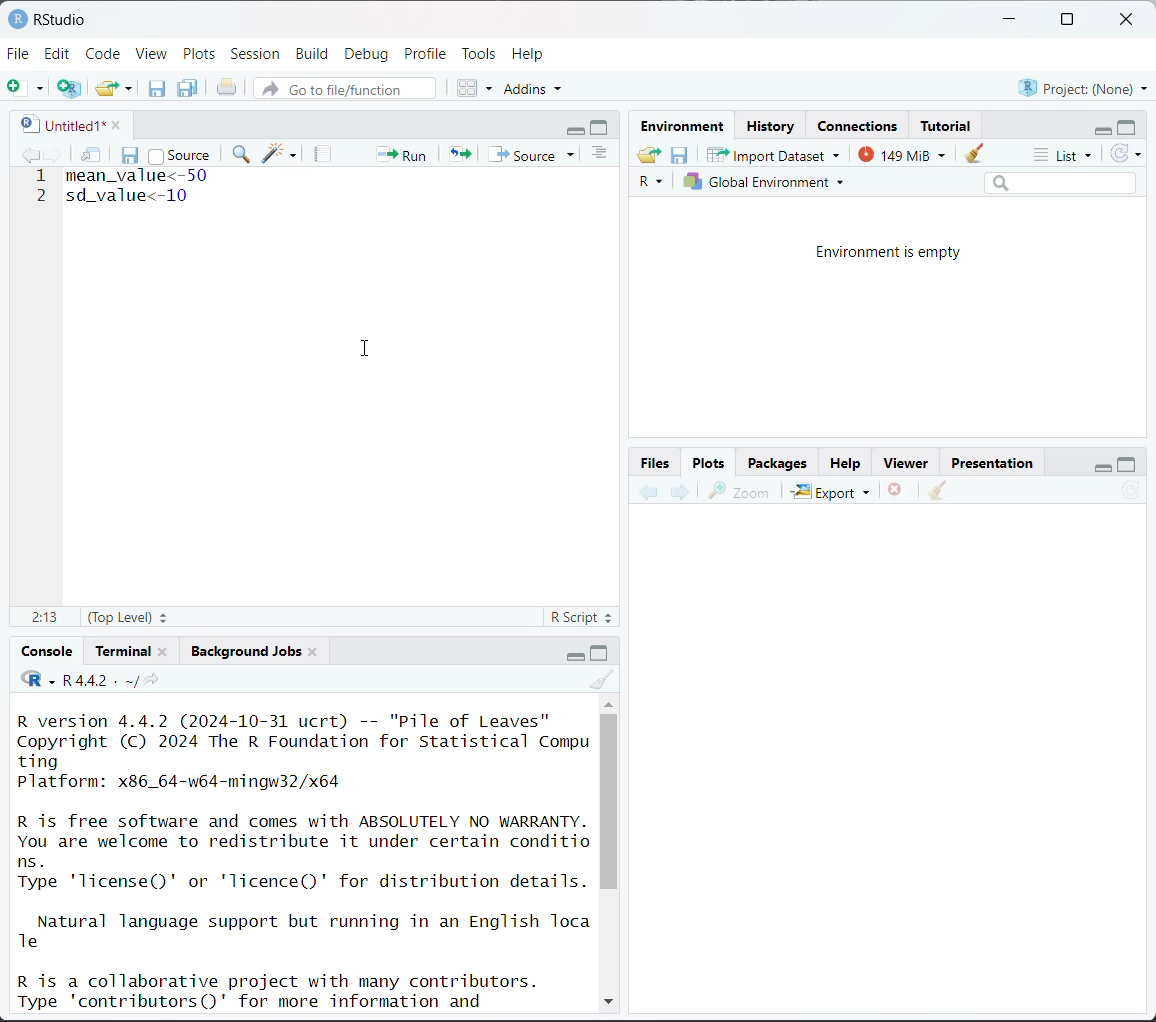 This screenshot has height=1022, width=1156. Describe the element at coordinates (30, 156) in the screenshot. I see `go backward to previous source location` at that location.